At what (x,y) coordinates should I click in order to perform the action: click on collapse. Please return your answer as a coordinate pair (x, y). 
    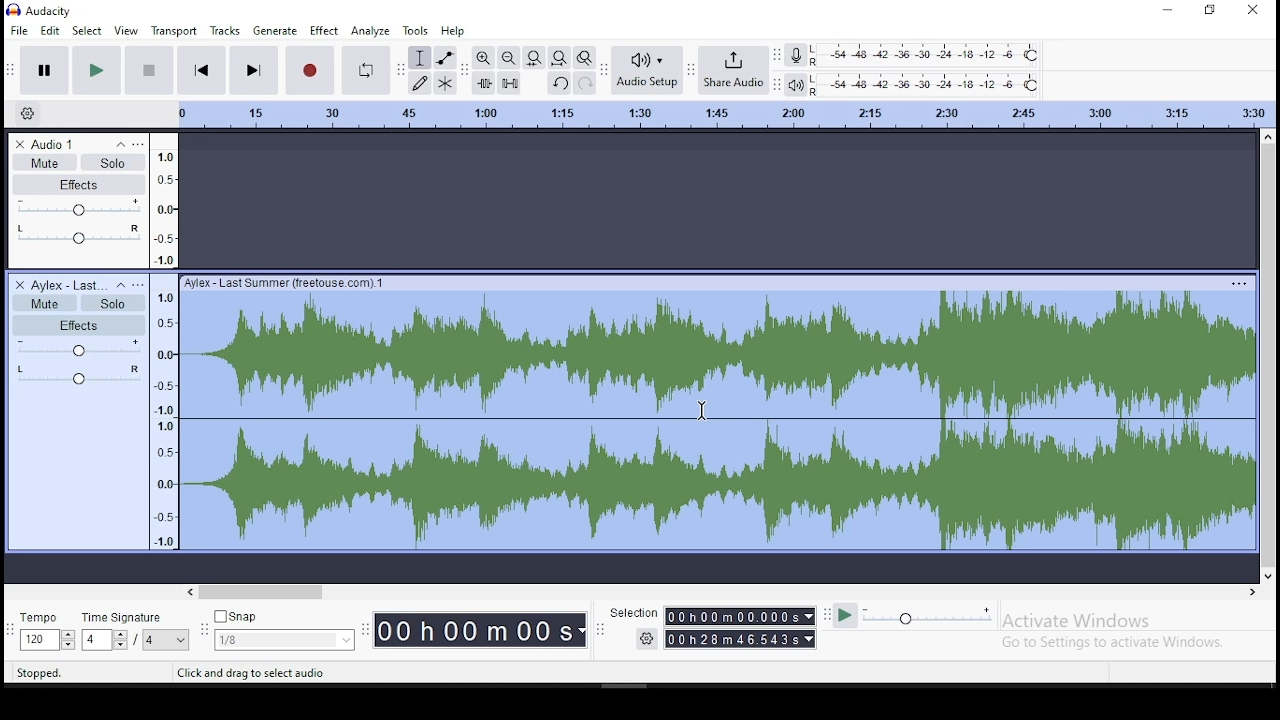
    Looking at the image, I should click on (119, 145).